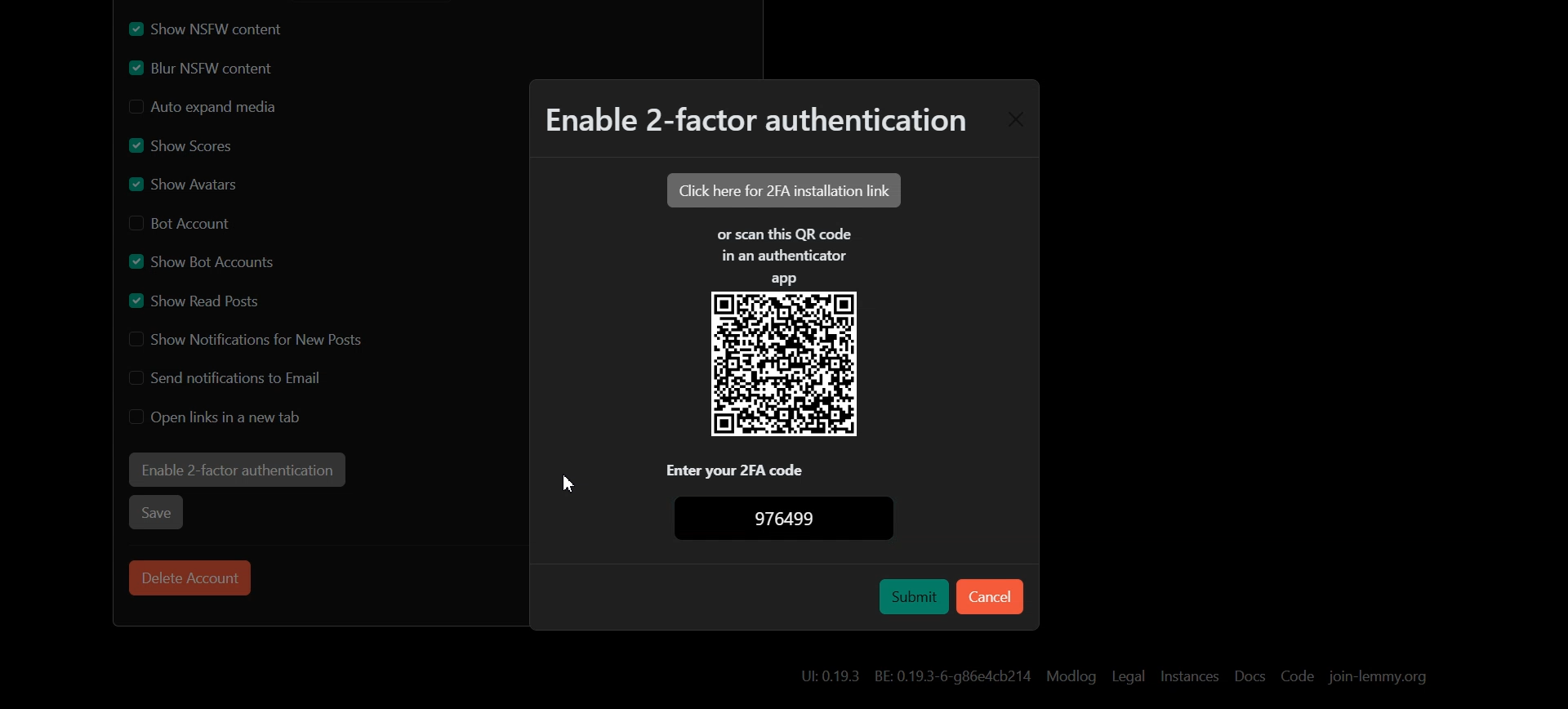  Describe the element at coordinates (229, 69) in the screenshot. I see `Enable Blur NSFW content` at that location.